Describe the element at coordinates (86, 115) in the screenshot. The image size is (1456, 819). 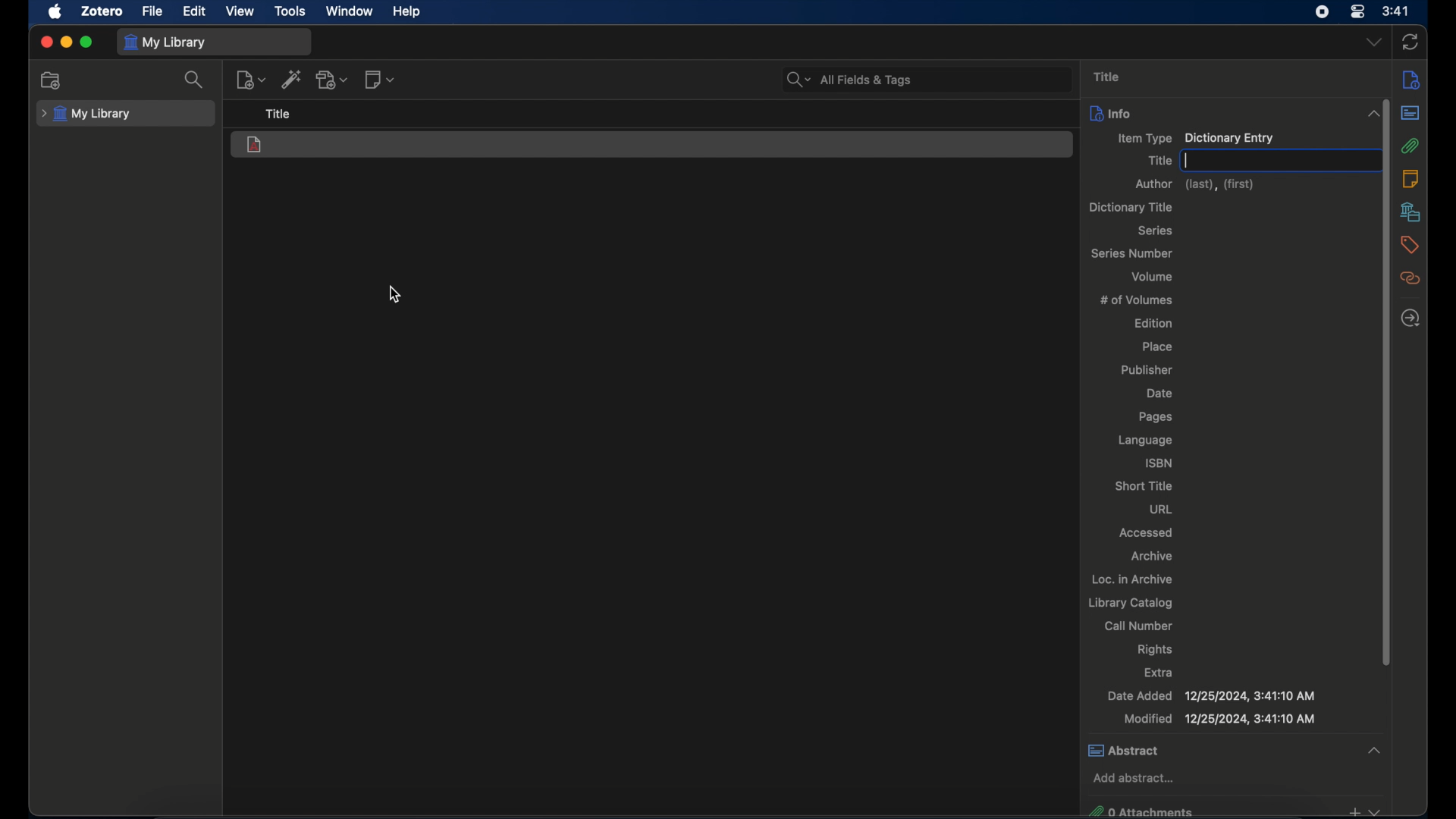
I see `my library` at that location.